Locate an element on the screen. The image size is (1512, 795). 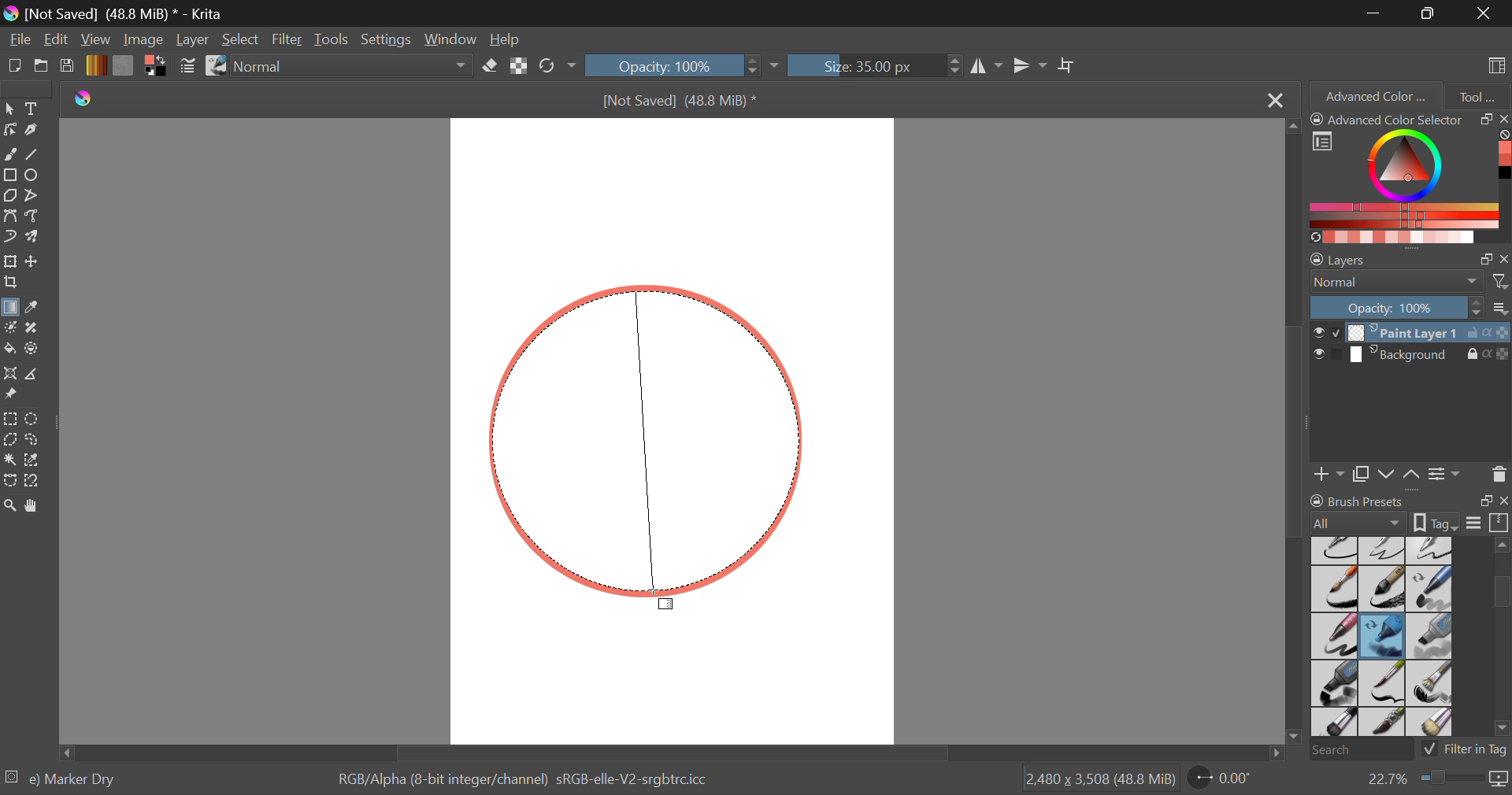
Pan Tool is located at coordinates (35, 505).